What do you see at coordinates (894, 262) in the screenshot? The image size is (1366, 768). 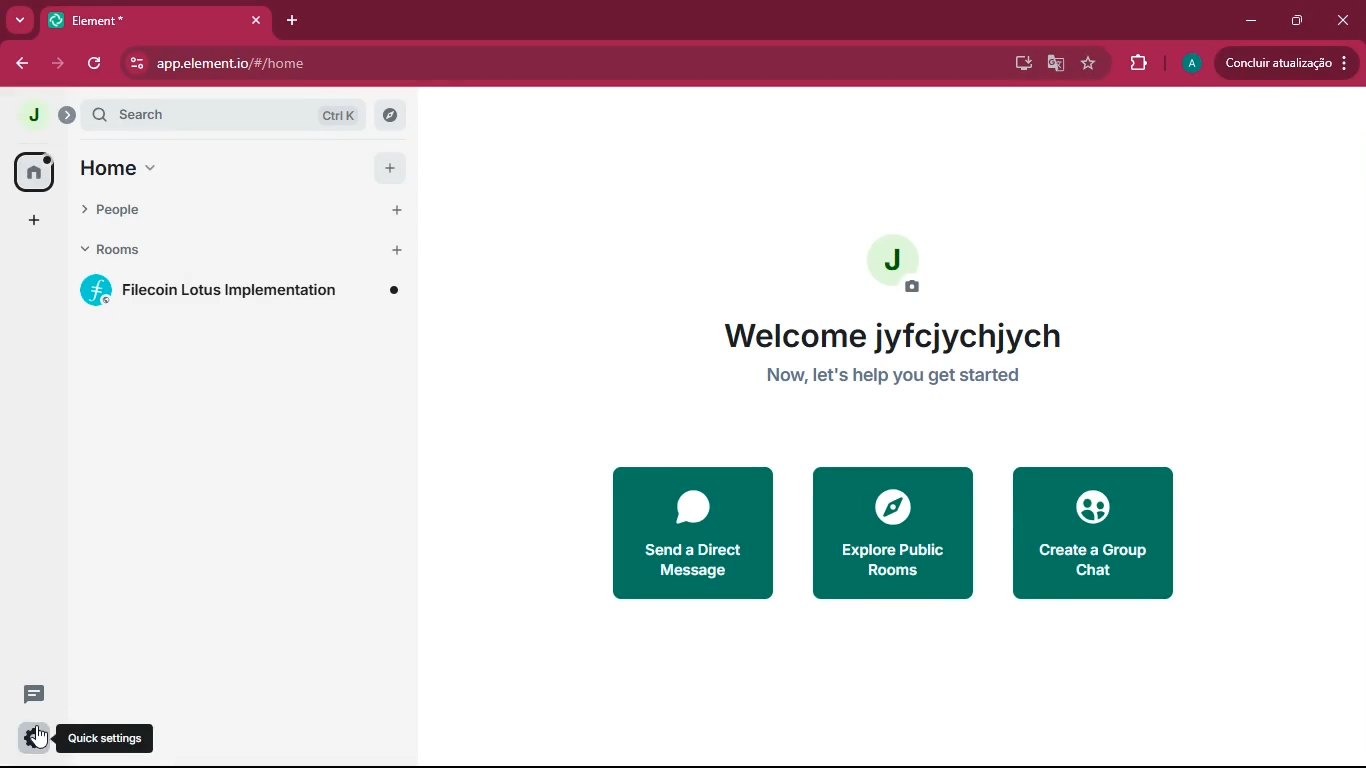 I see `profile picture` at bounding box center [894, 262].